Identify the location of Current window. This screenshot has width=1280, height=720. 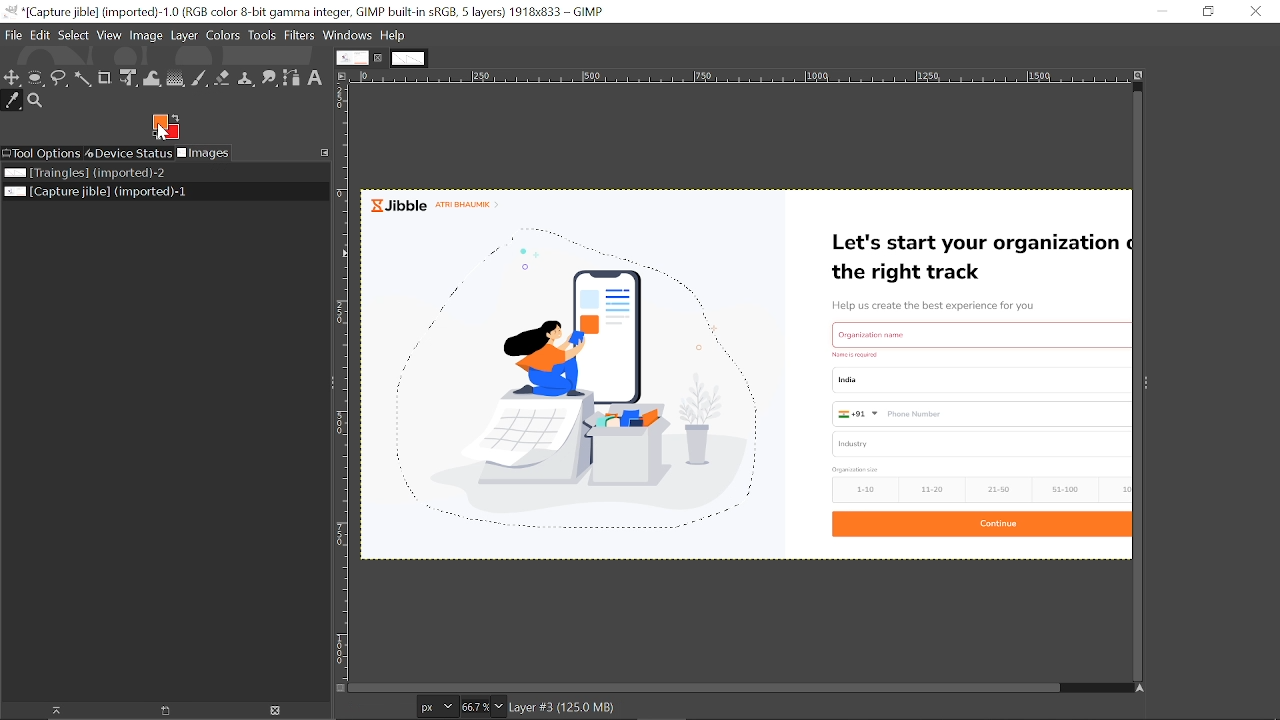
(305, 12).